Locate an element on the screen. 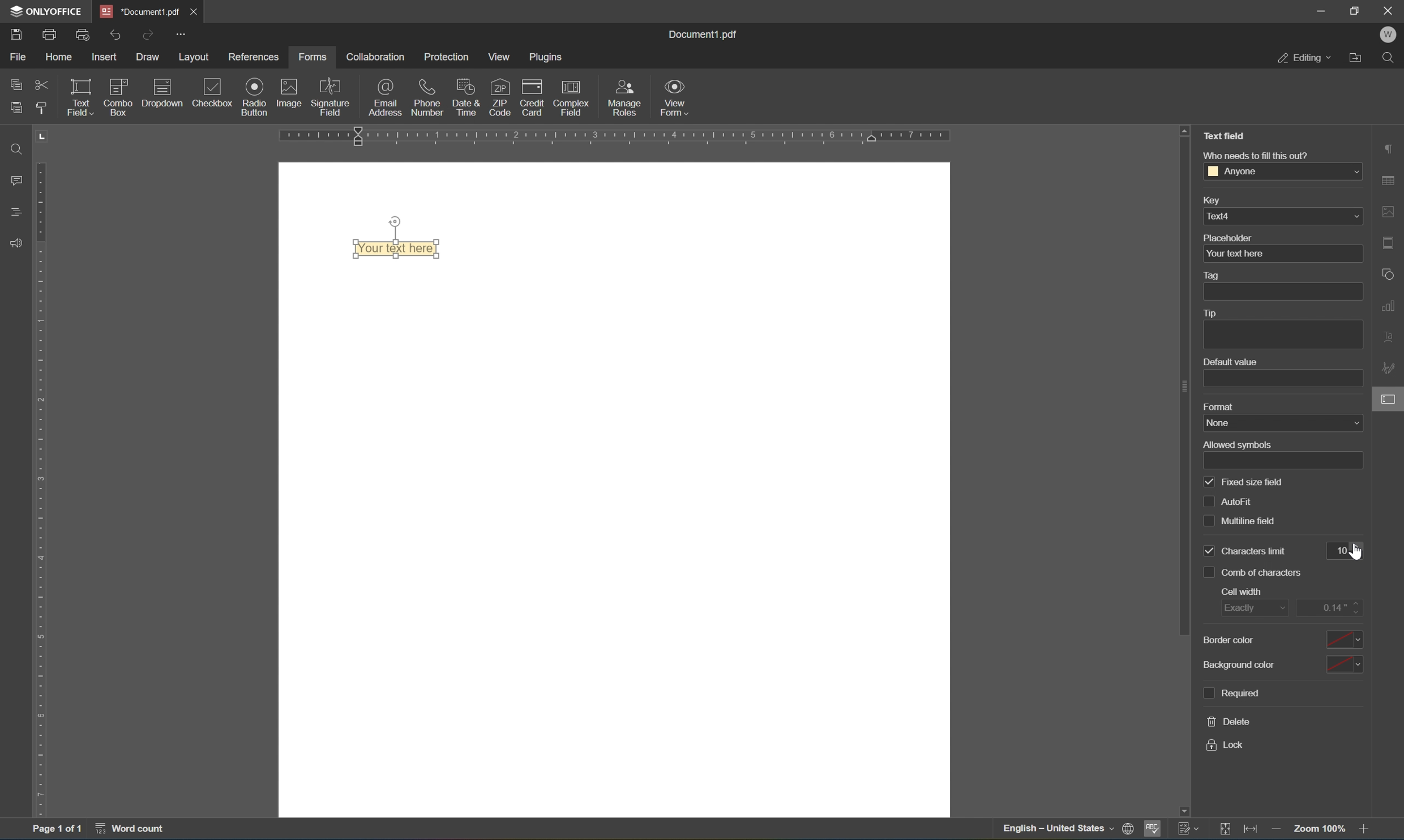 Image resolution: width=1404 pixels, height=840 pixels. tip is located at coordinates (1210, 312).